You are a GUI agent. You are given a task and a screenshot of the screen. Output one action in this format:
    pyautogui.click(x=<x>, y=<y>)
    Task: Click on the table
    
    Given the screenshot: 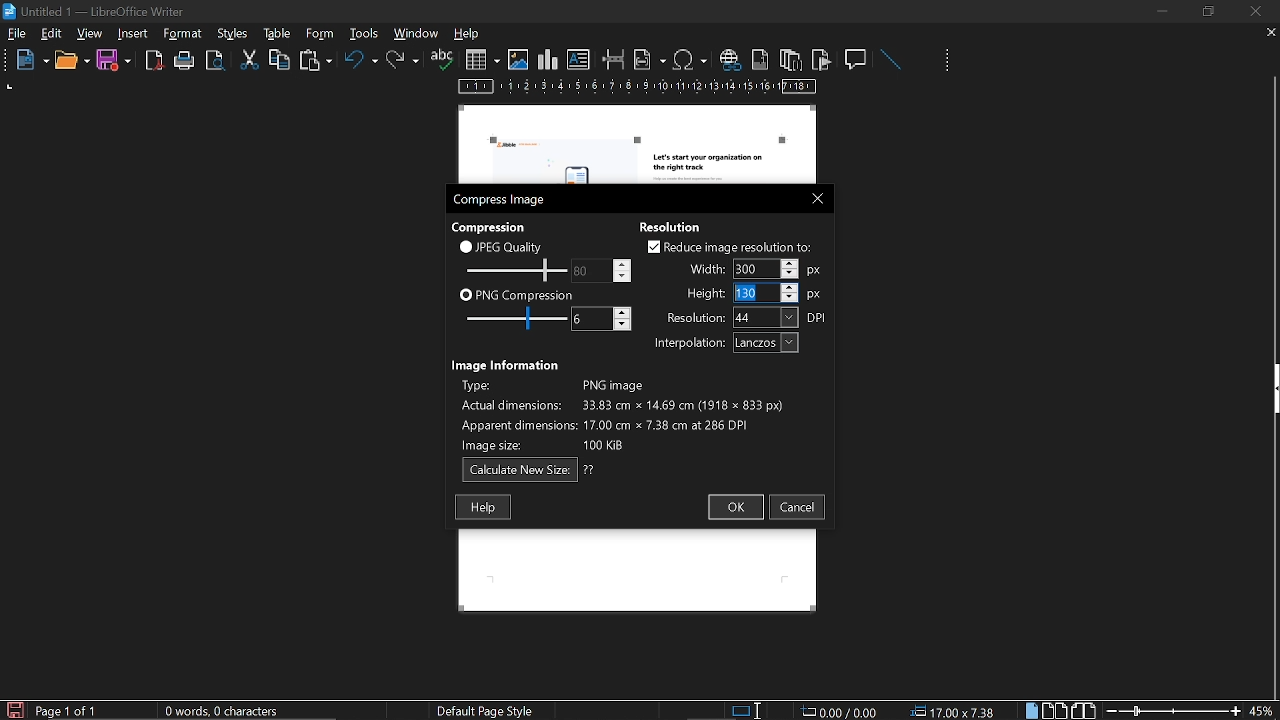 What is the action you would take?
    pyautogui.click(x=319, y=33)
    